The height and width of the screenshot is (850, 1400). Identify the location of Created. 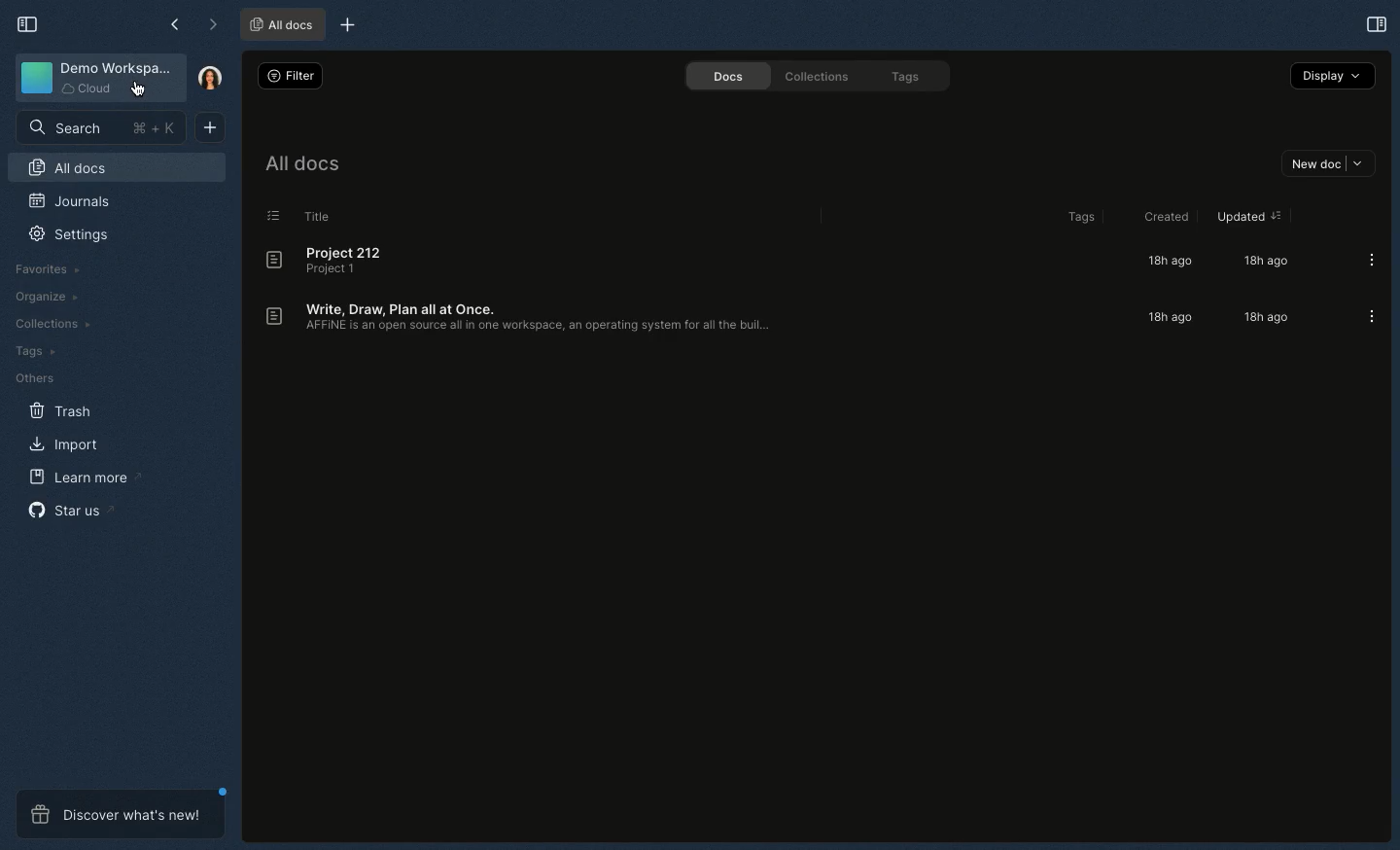
(1162, 217).